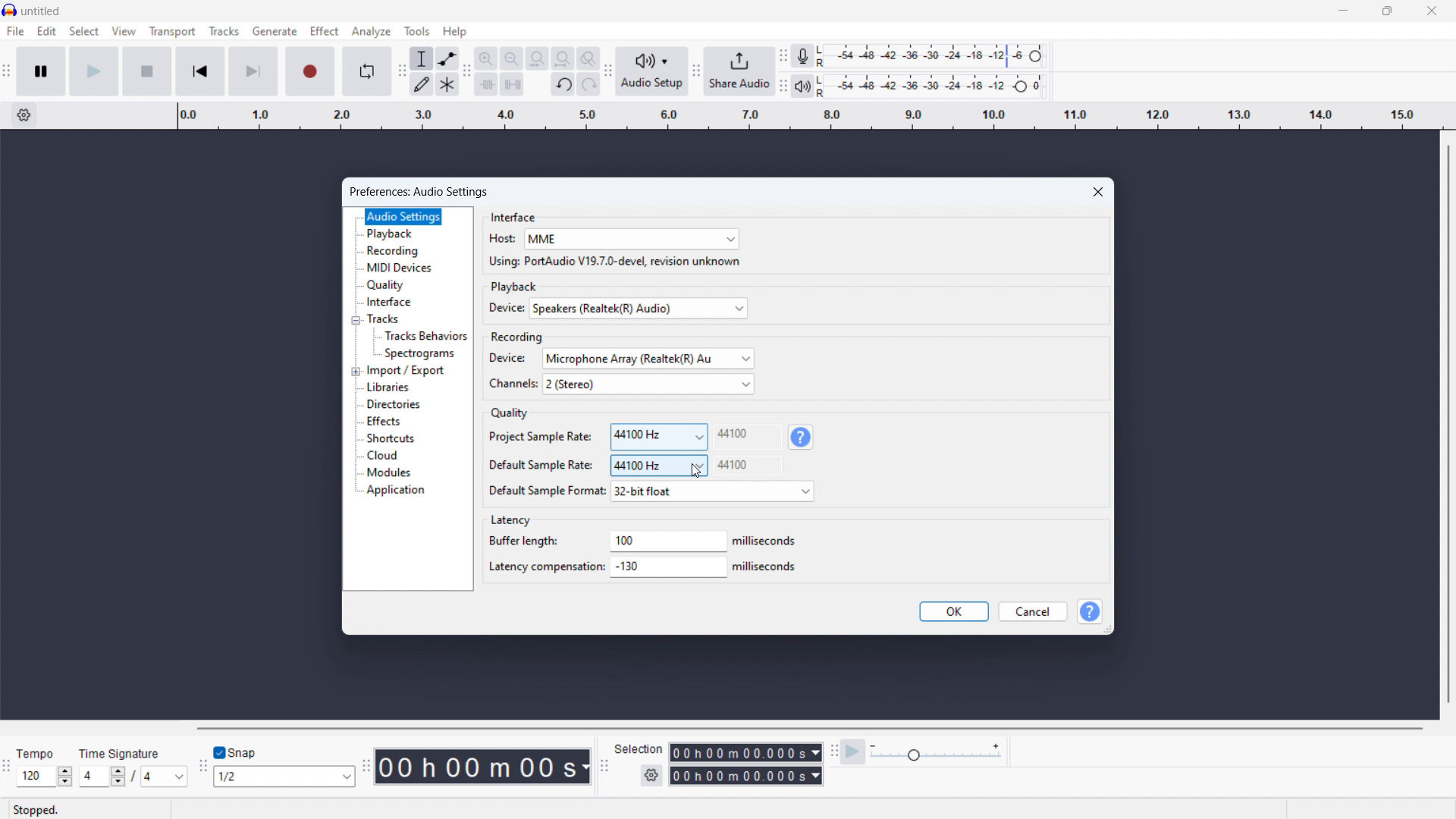 This screenshot has width=1456, height=819. I want to click on transport toolbar, so click(6, 75).